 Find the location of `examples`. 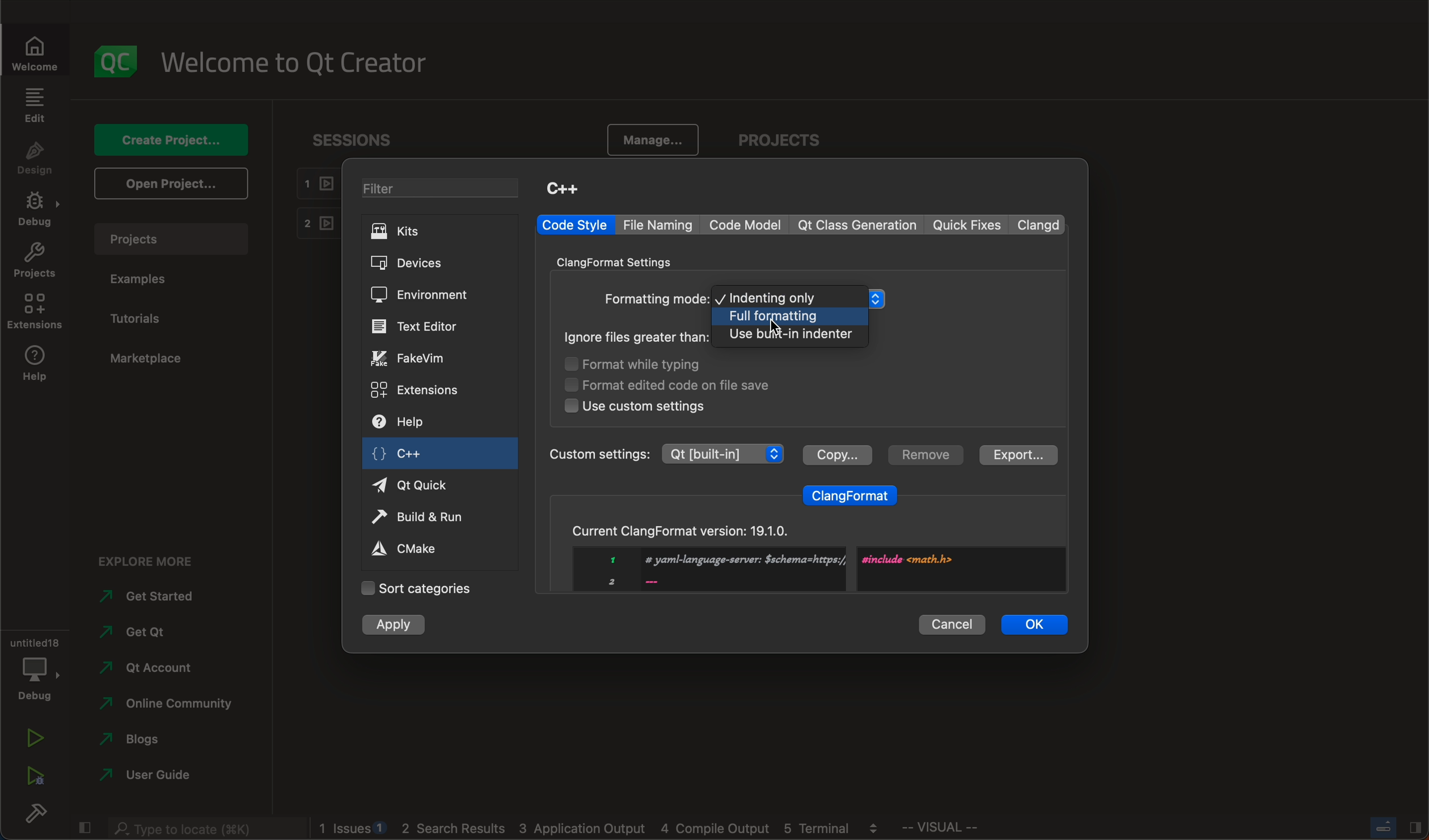

examples is located at coordinates (143, 279).